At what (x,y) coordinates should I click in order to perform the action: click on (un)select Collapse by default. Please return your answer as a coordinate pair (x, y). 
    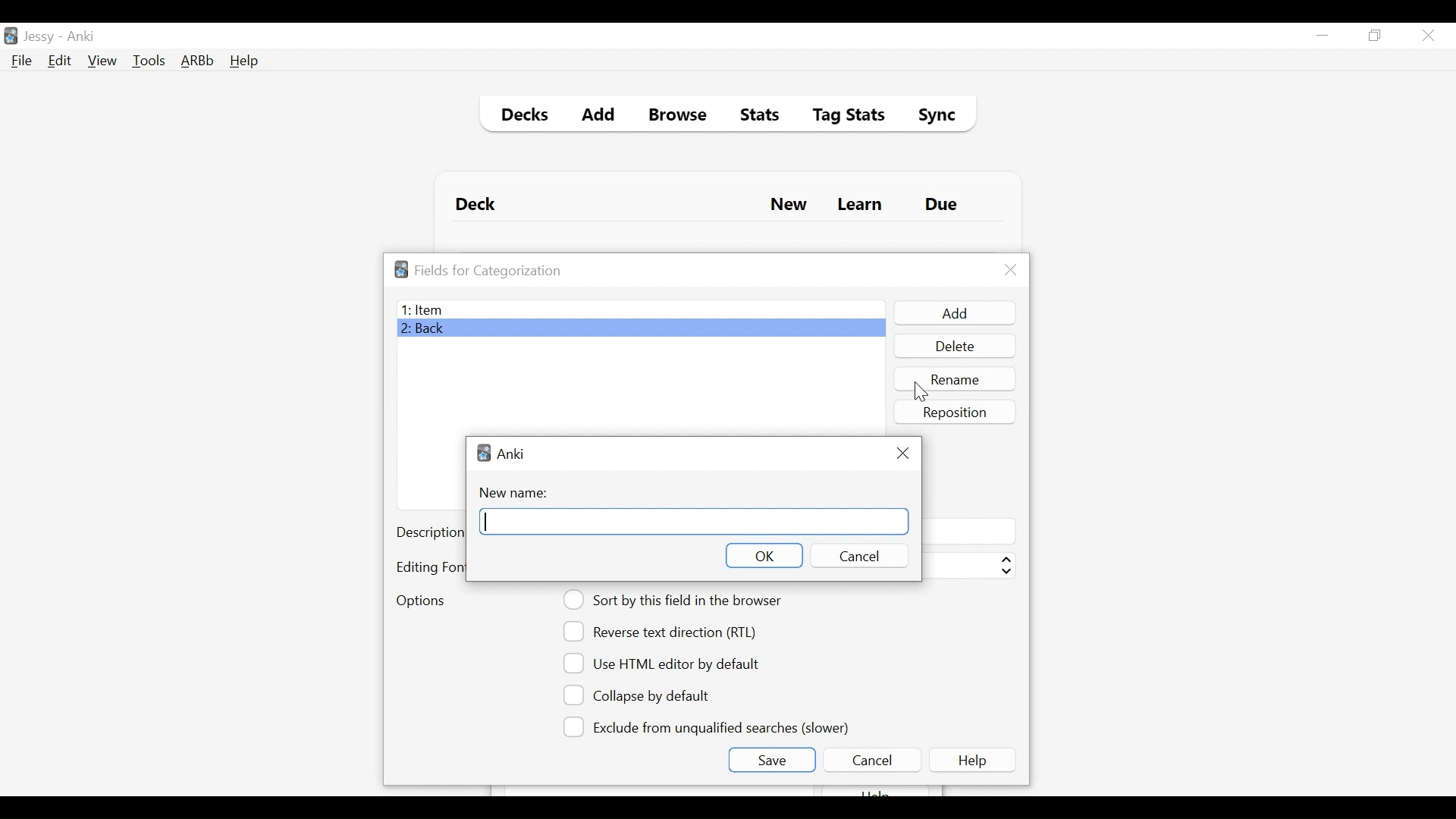
    Looking at the image, I should click on (648, 695).